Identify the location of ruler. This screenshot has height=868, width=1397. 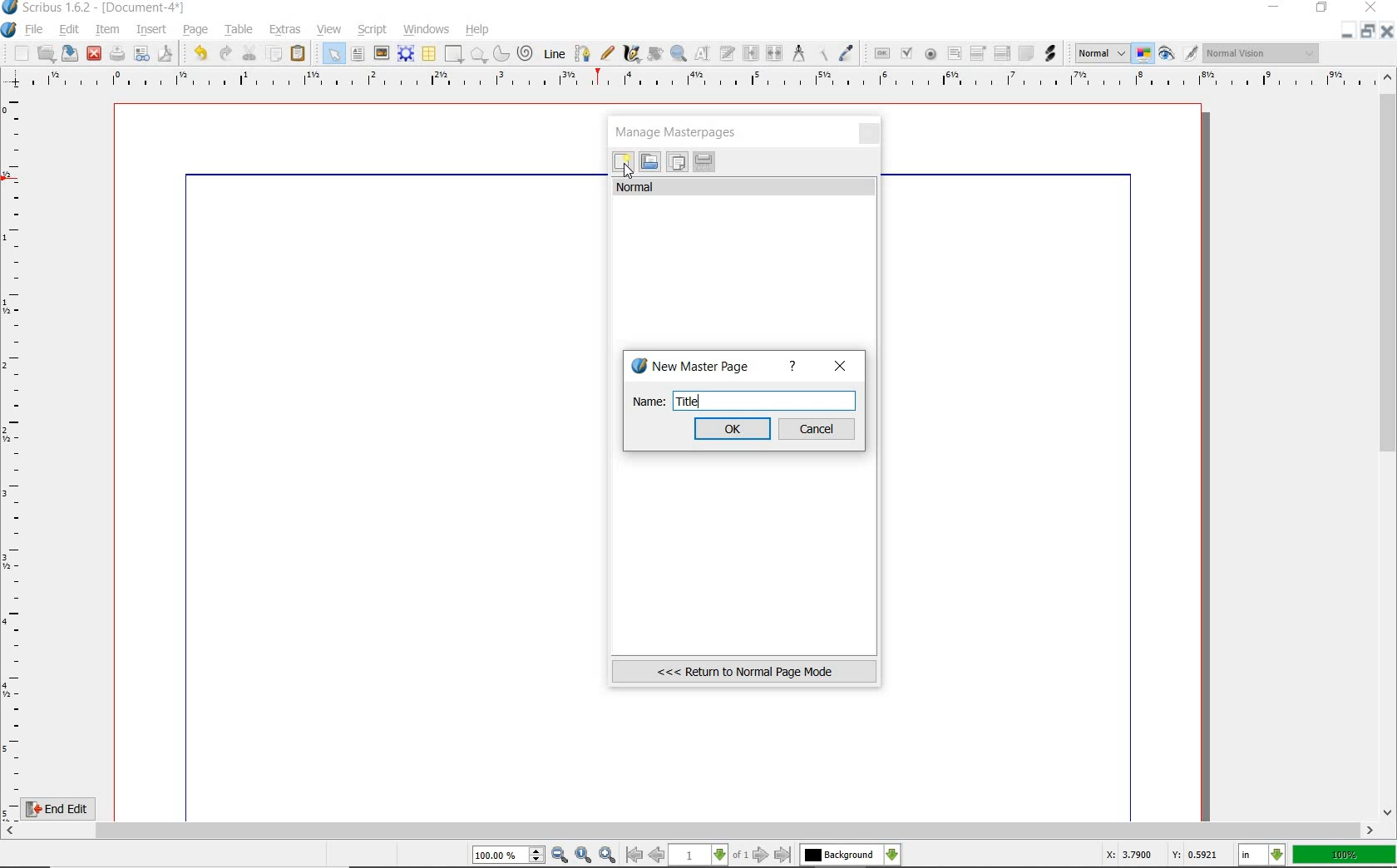
(15, 454).